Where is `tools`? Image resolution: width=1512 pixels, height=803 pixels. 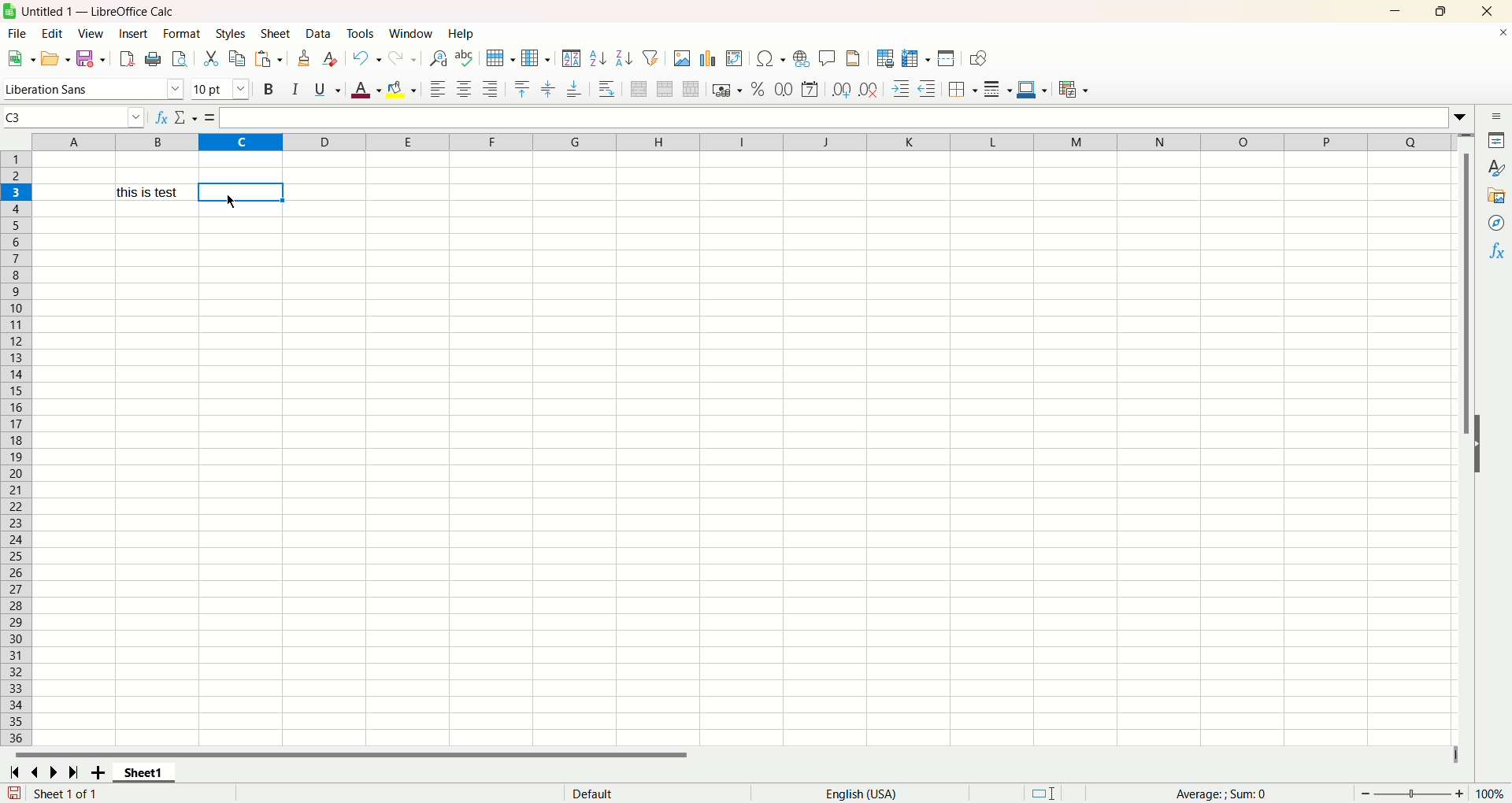 tools is located at coordinates (361, 35).